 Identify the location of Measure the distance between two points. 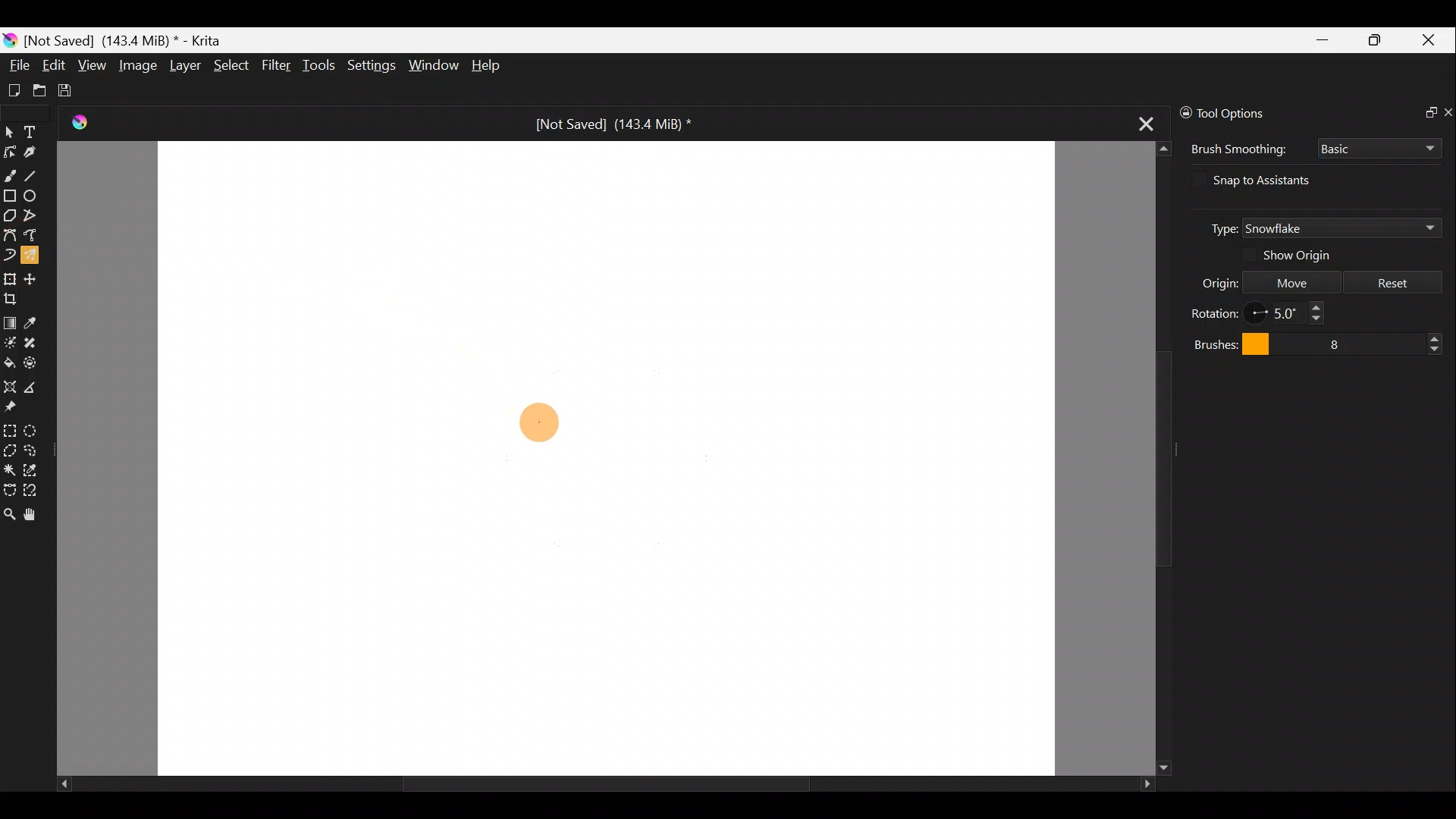
(36, 385).